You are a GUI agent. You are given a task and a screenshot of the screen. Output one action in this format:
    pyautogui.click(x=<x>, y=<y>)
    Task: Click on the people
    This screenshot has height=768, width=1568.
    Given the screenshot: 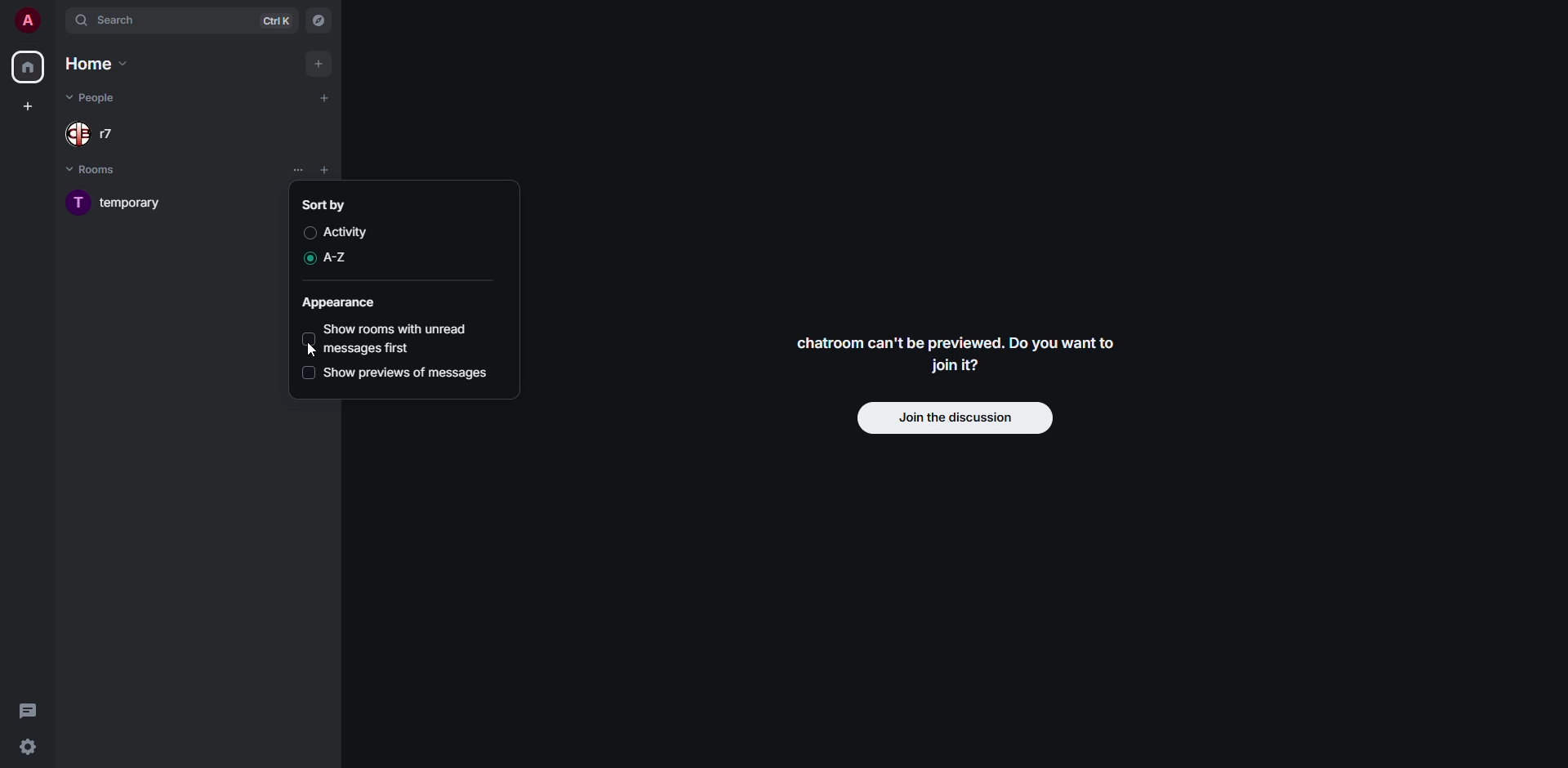 What is the action you would take?
    pyautogui.click(x=98, y=98)
    